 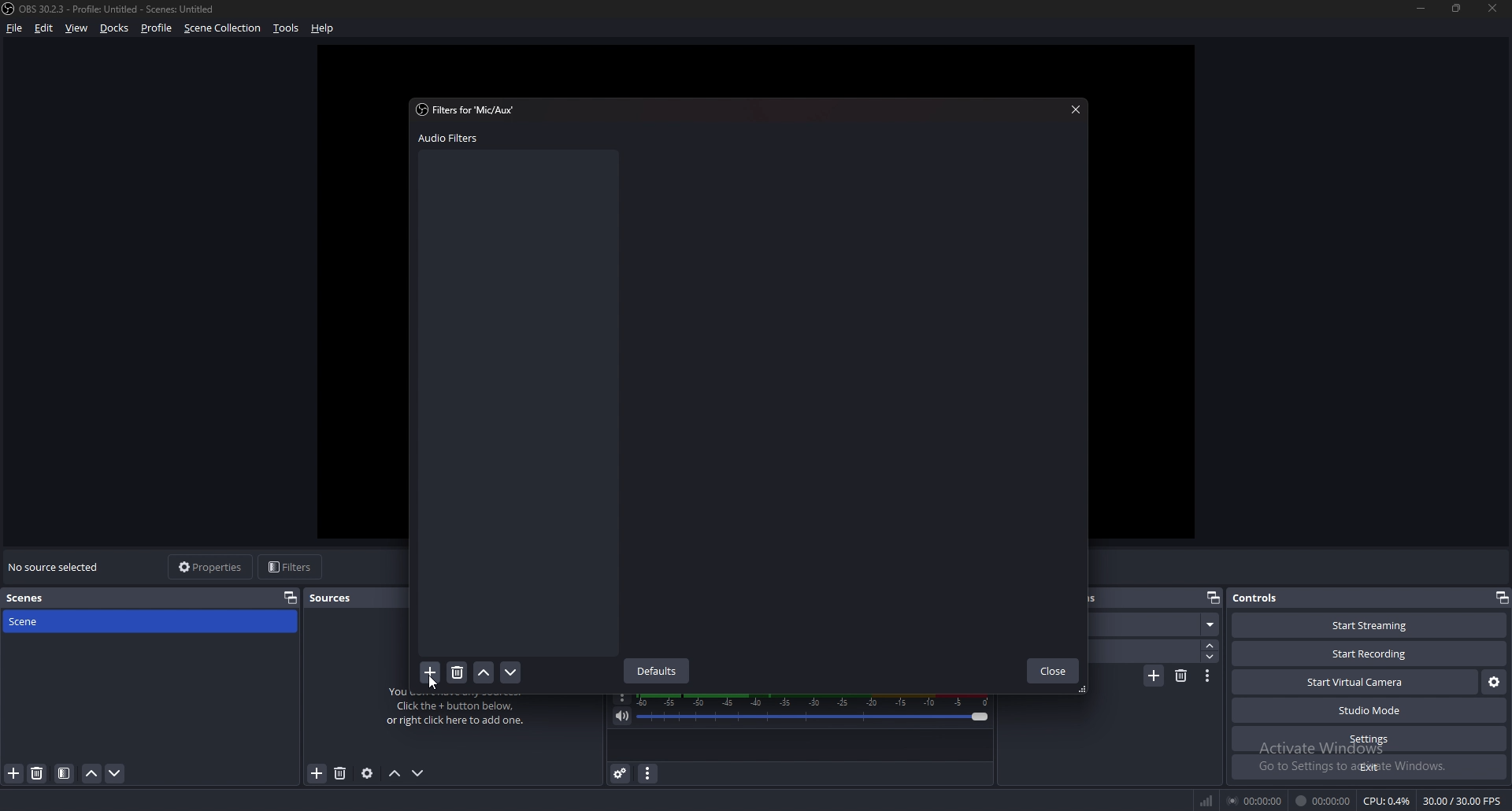 What do you see at coordinates (1324, 800) in the screenshot?
I see `00:00:00` at bounding box center [1324, 800].